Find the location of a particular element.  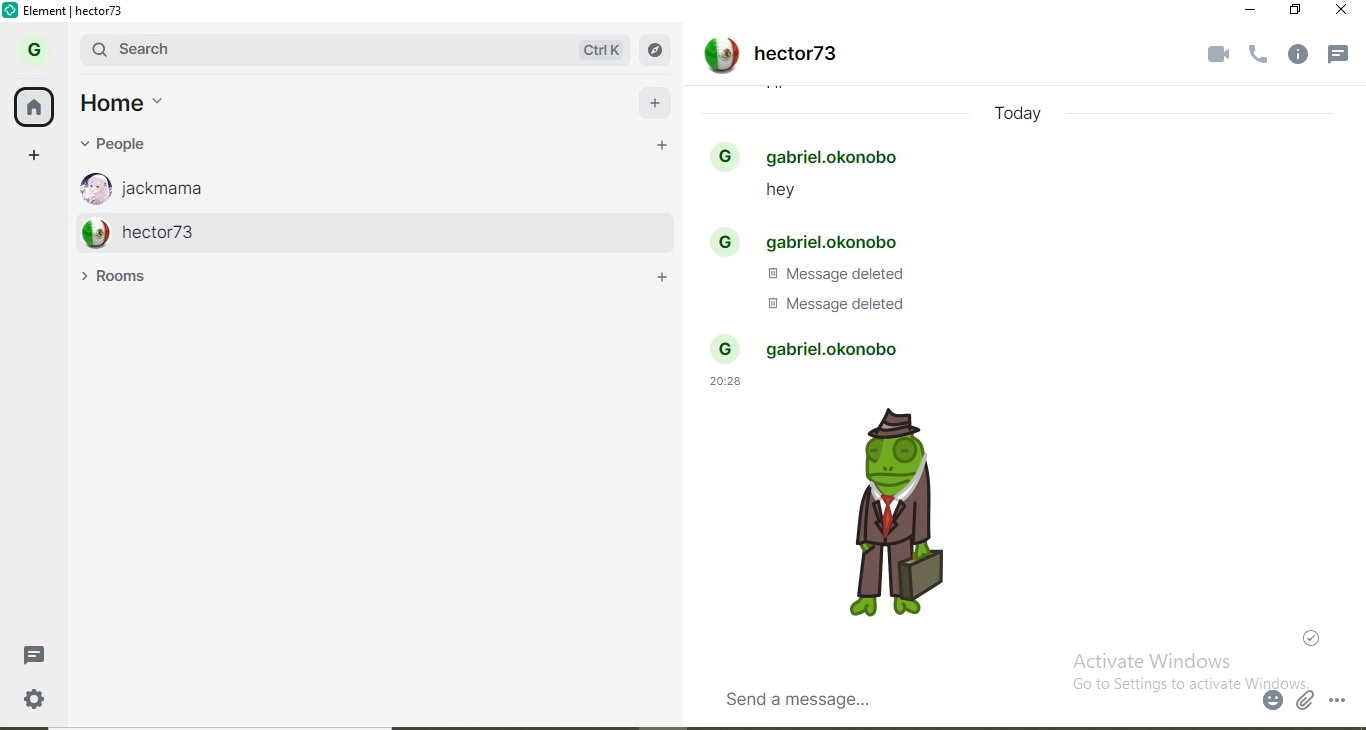

voice call is located at coordinates (1259, 55).